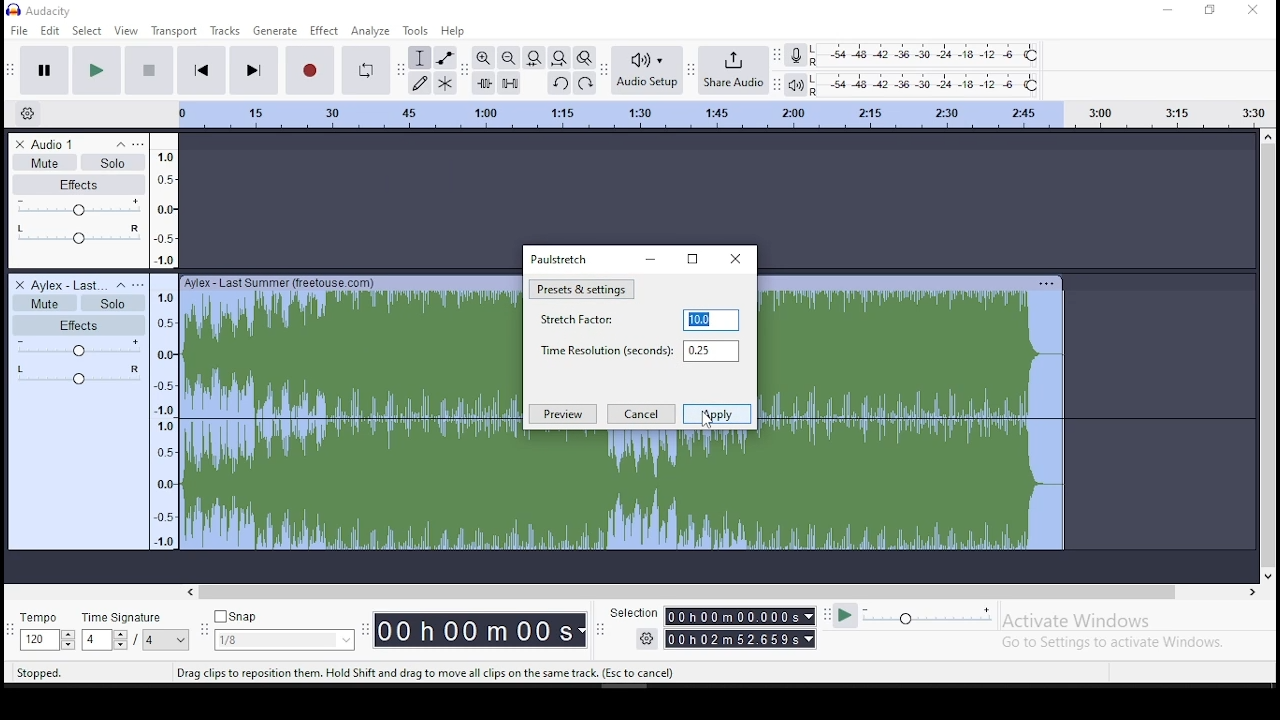 This screenshot has width=1280, height=720. Describe the element at coordinates (308, 70) in the screenshot. I see `stop recording` at that location.